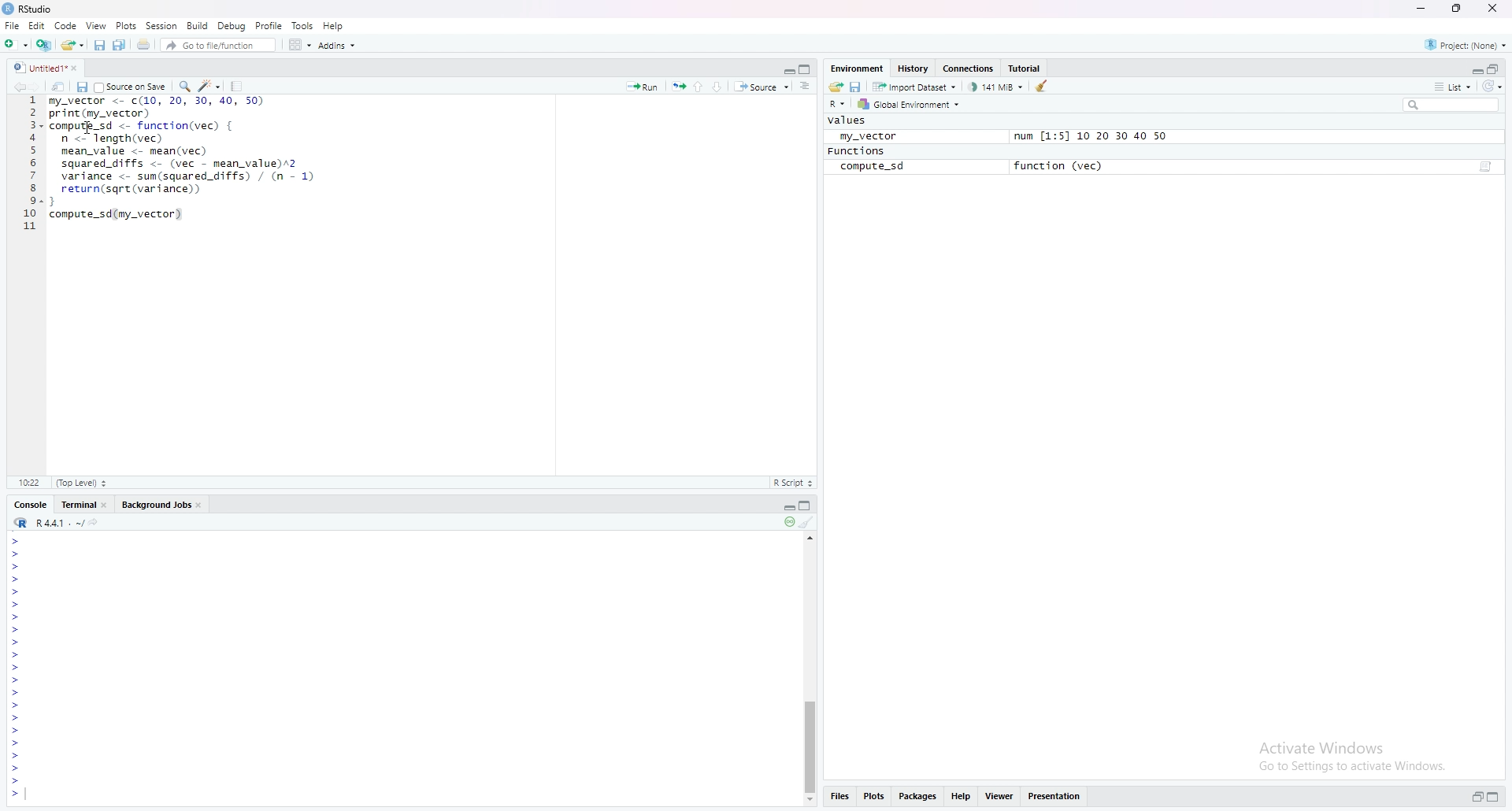 The height and width of the screenshot is (811, 1512). I want to click on Close, so click(1491, 9).